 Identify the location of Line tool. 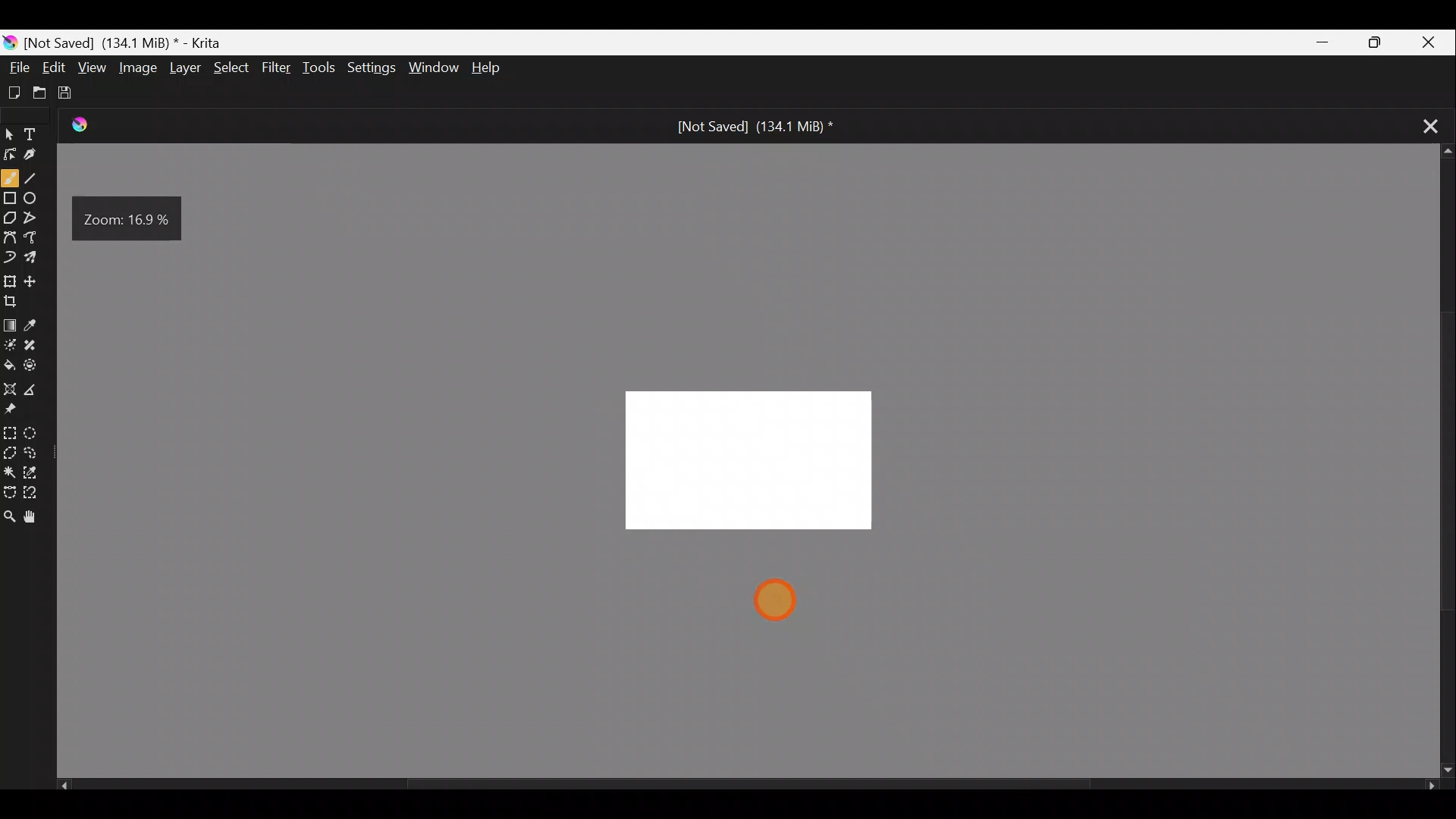
(35, 178).